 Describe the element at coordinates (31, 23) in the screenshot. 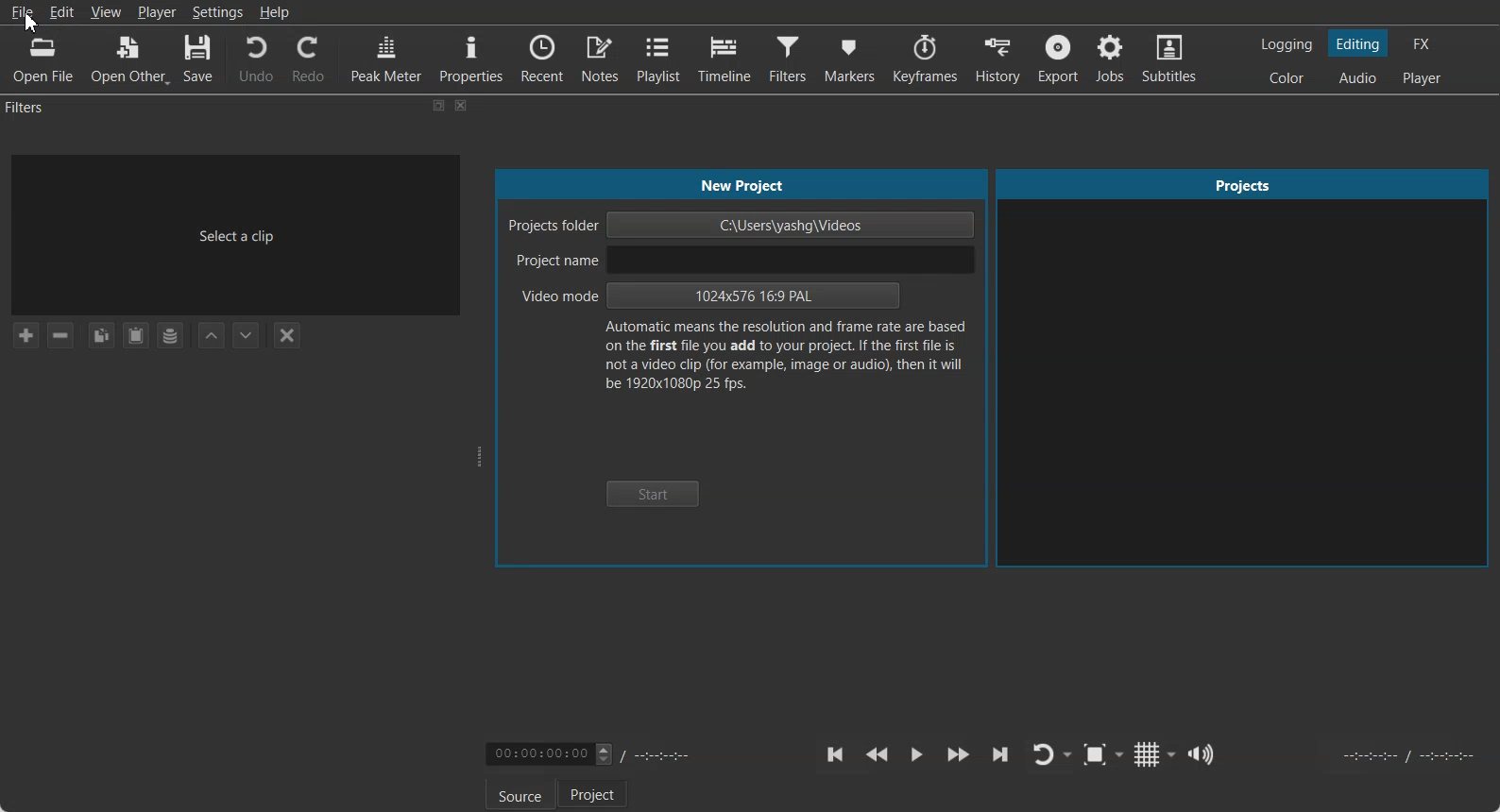

I see `Cursor` at that location.